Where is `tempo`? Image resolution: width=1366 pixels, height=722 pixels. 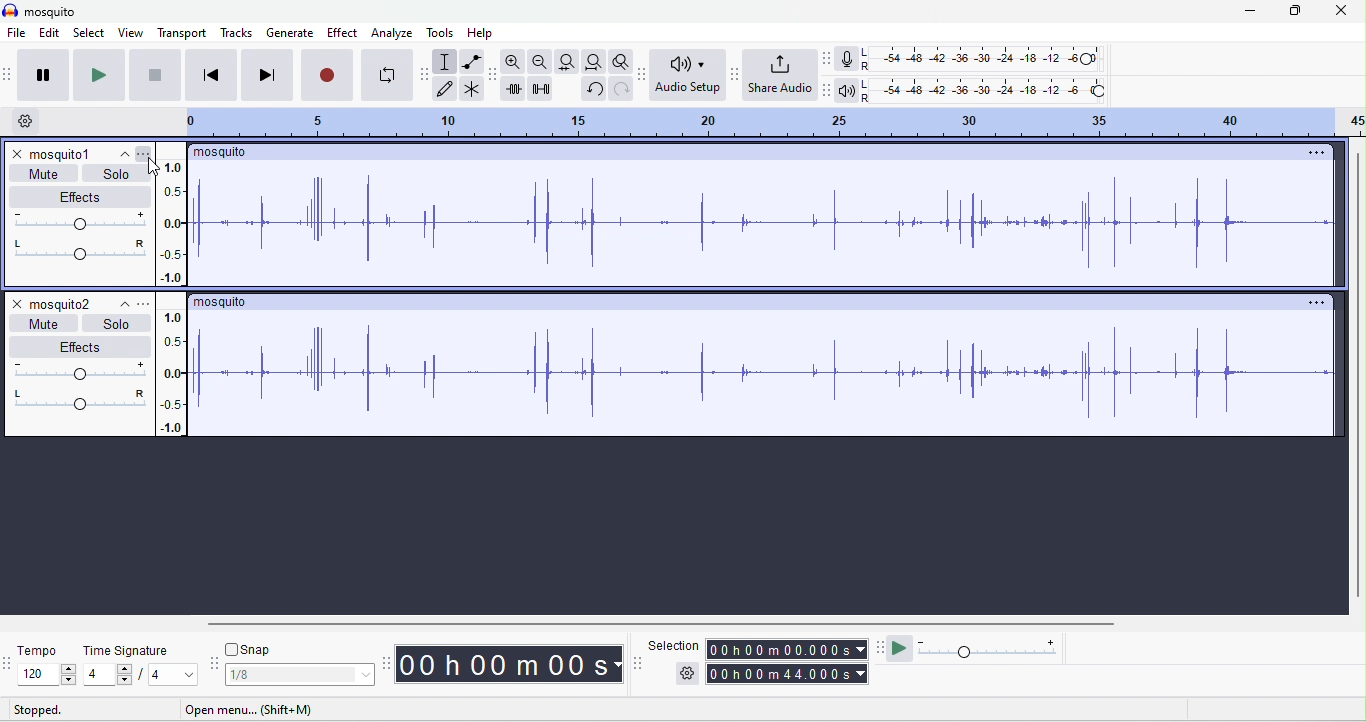
tempo is located at coordinates (39, 653).